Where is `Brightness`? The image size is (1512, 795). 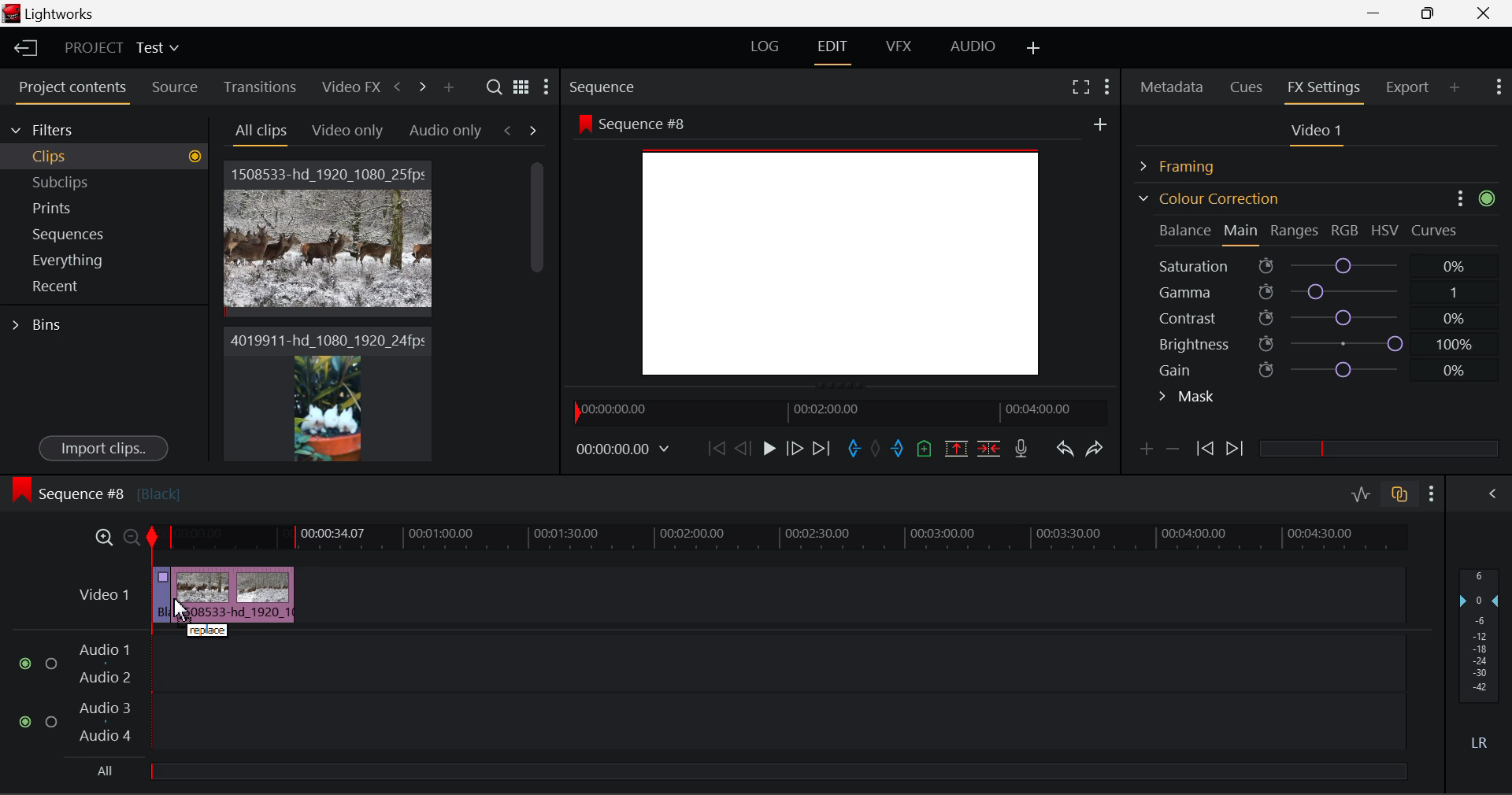 Brightness is located at coordinates (1318, 341).